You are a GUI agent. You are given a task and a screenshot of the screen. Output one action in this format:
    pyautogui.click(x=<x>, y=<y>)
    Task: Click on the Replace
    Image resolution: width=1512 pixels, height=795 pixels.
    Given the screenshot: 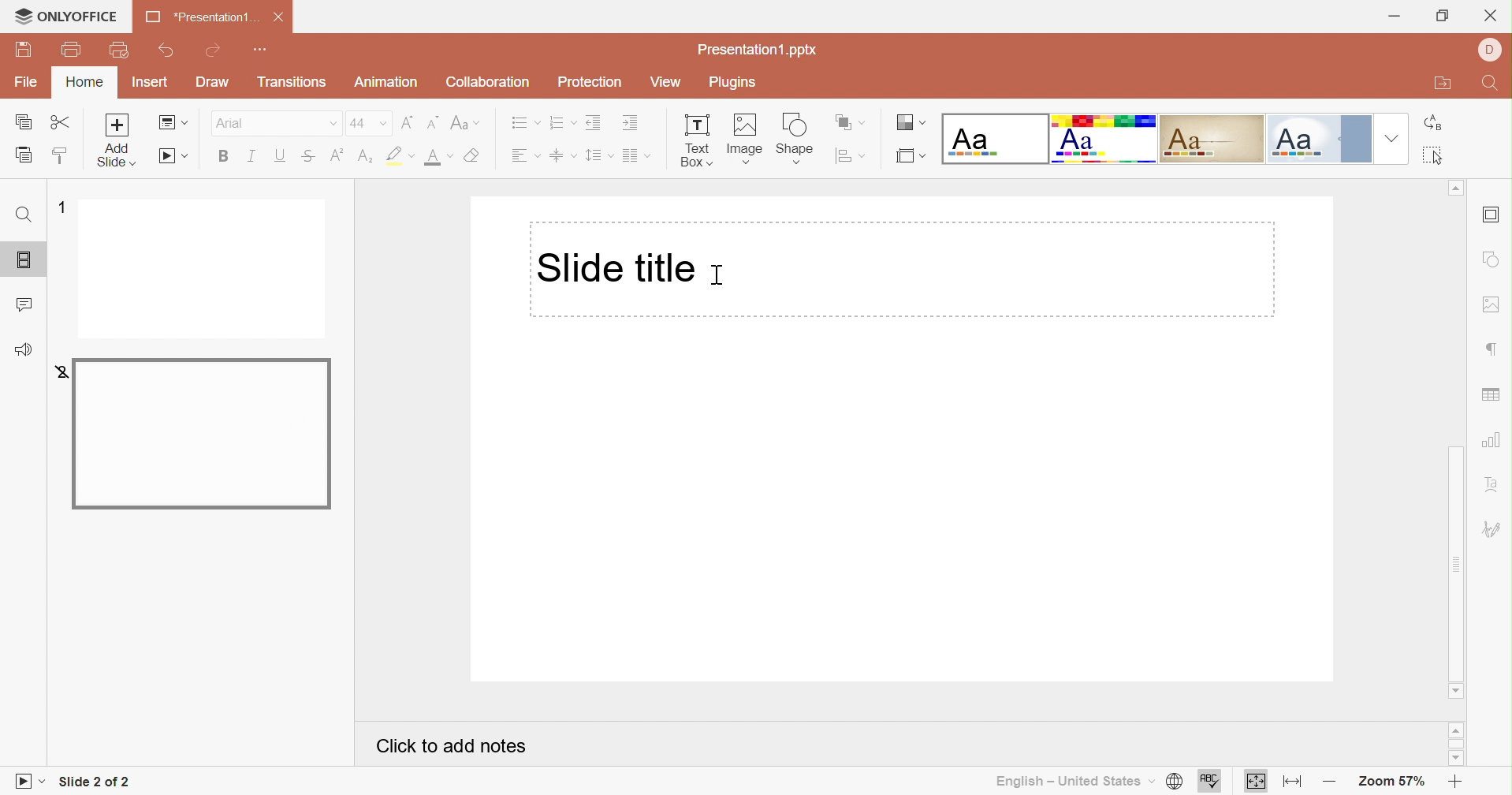 What is the action you would take?
    pyautogui.click(x=1431, y=123)
    